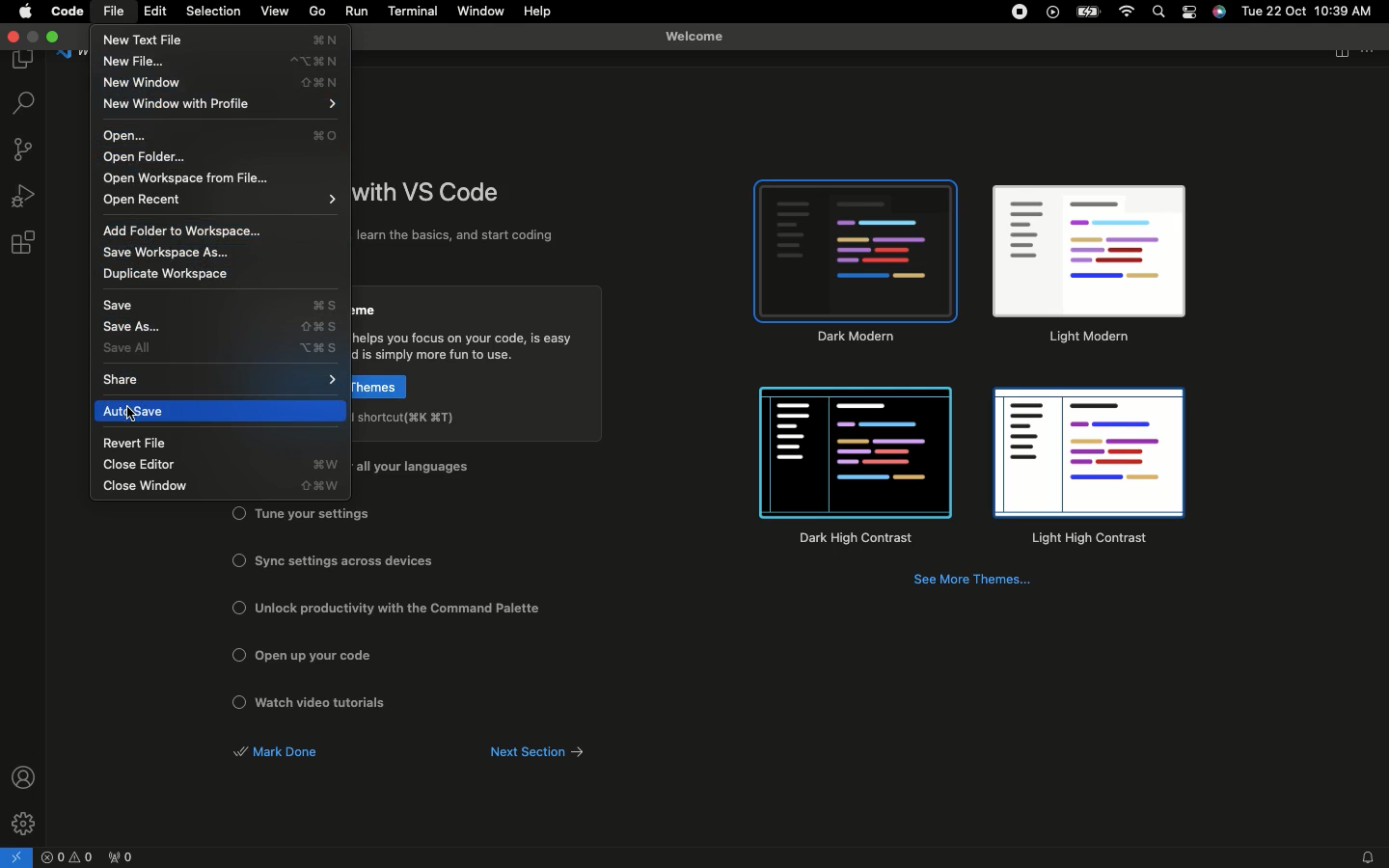 Image resolution: width=1389 pixels, height=868 pixels. What do you see at coordinates (239, 702) in the screenshot?
I see `Checkbox` at bounding box center [239, 702].